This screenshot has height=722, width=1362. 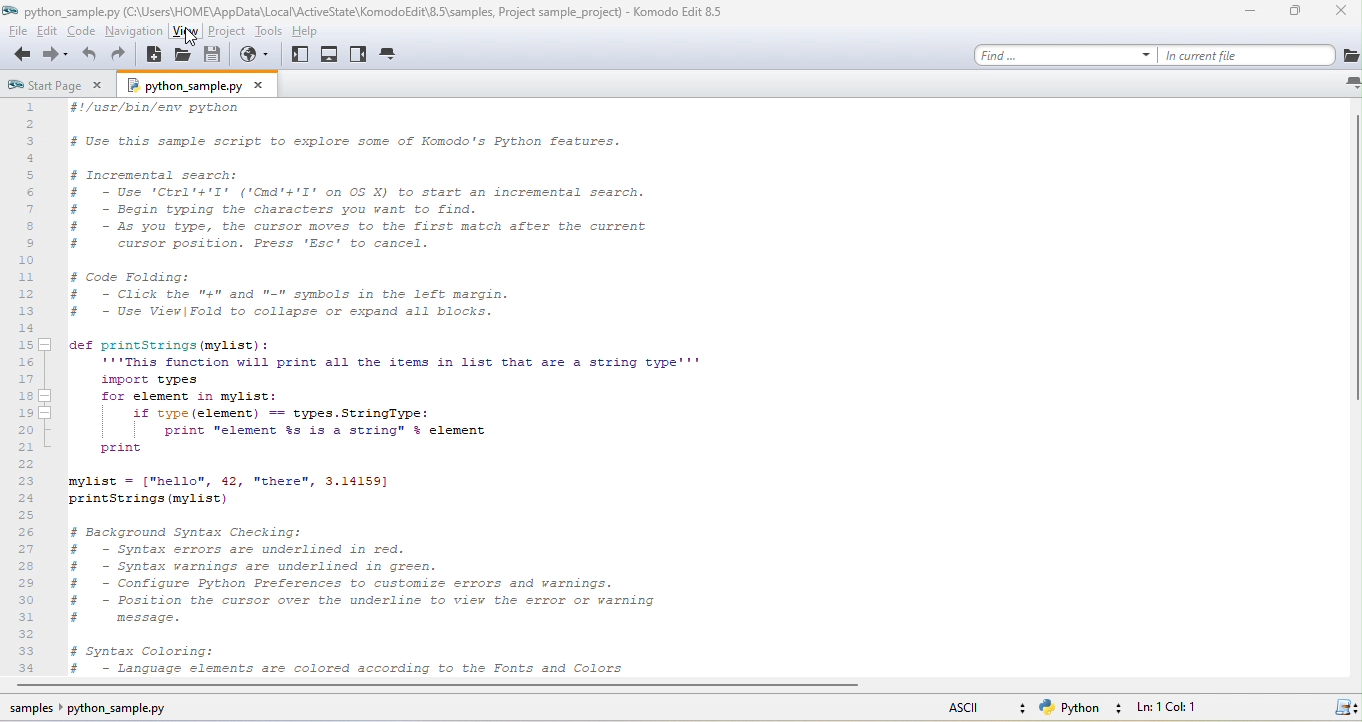 I want to click on tab, so click(x=390, y=55).